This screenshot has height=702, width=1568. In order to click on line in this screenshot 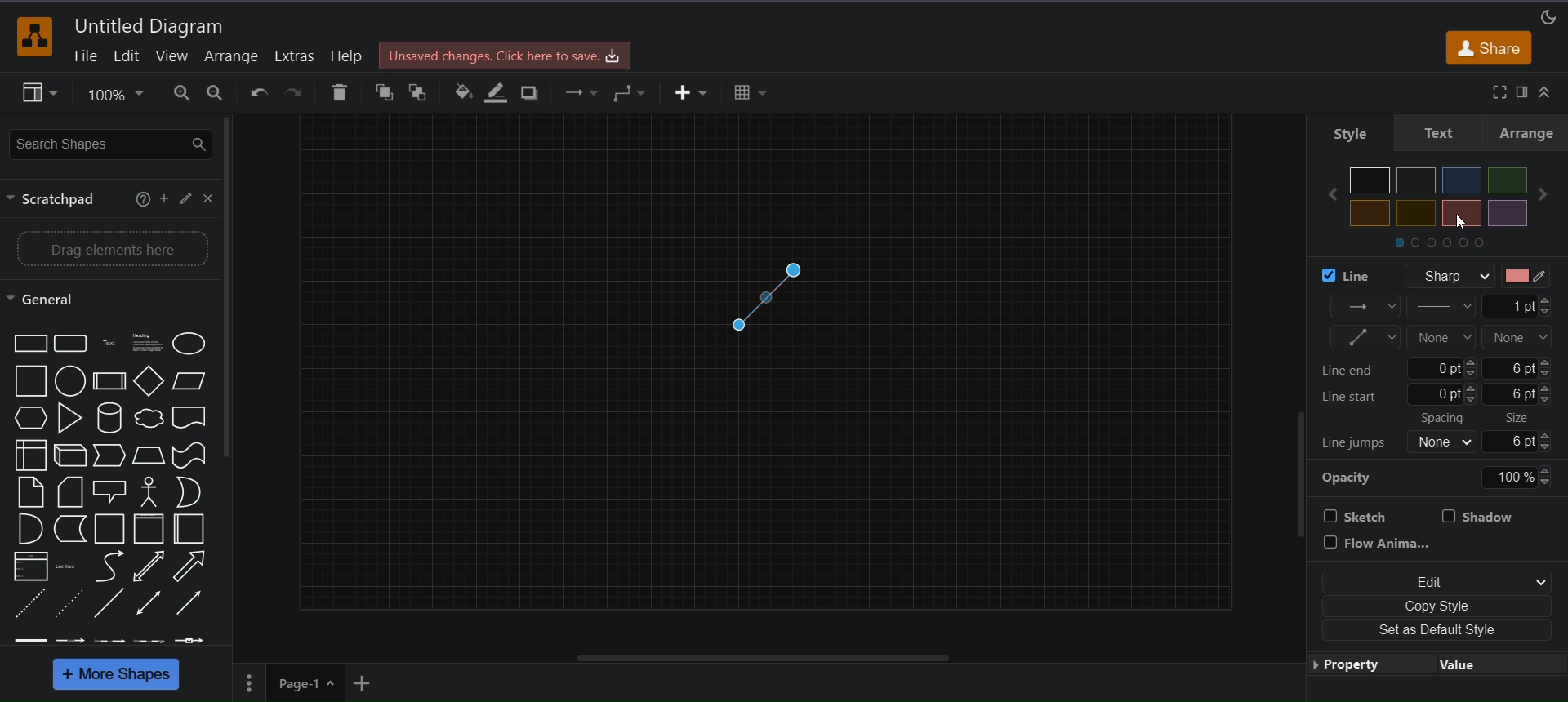, I will do `click(1432, 277)`.